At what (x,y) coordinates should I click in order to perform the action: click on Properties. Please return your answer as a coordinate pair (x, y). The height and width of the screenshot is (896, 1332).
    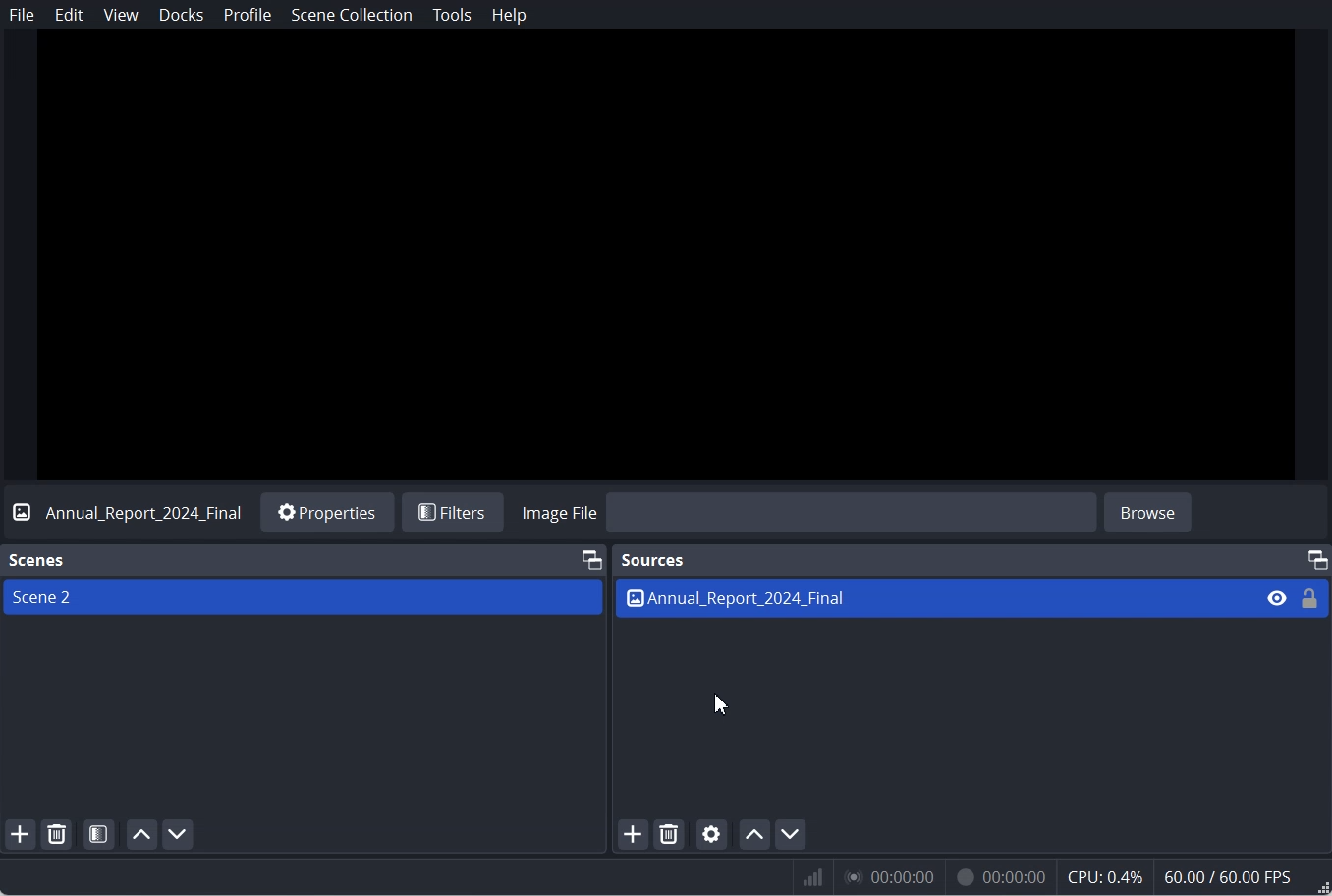
    Looking at the image, I should click on (327, 512).